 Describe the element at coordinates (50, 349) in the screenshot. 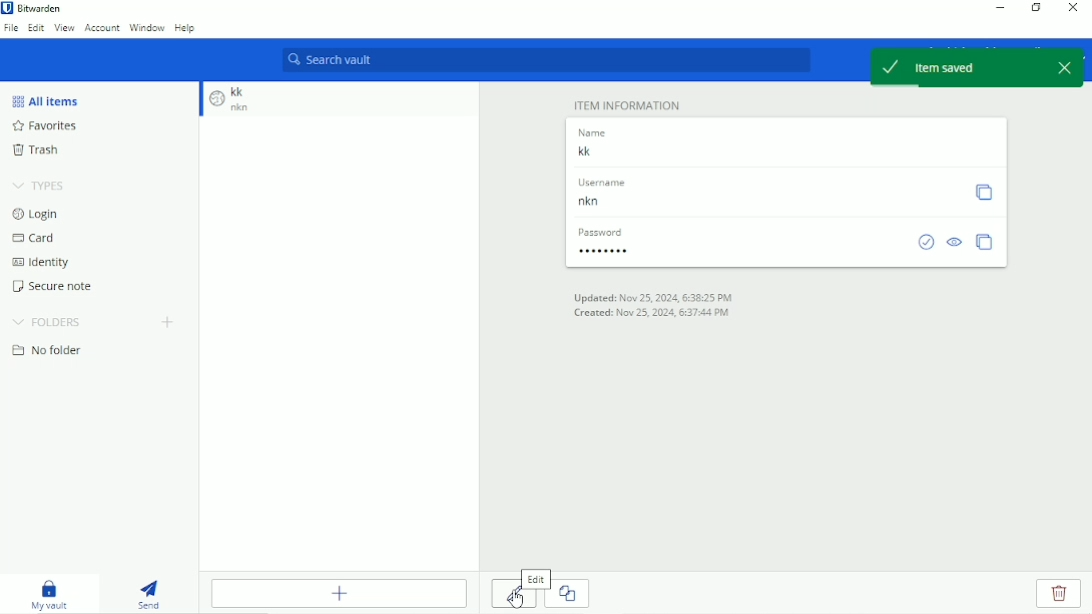

I see `No folder` at that location.